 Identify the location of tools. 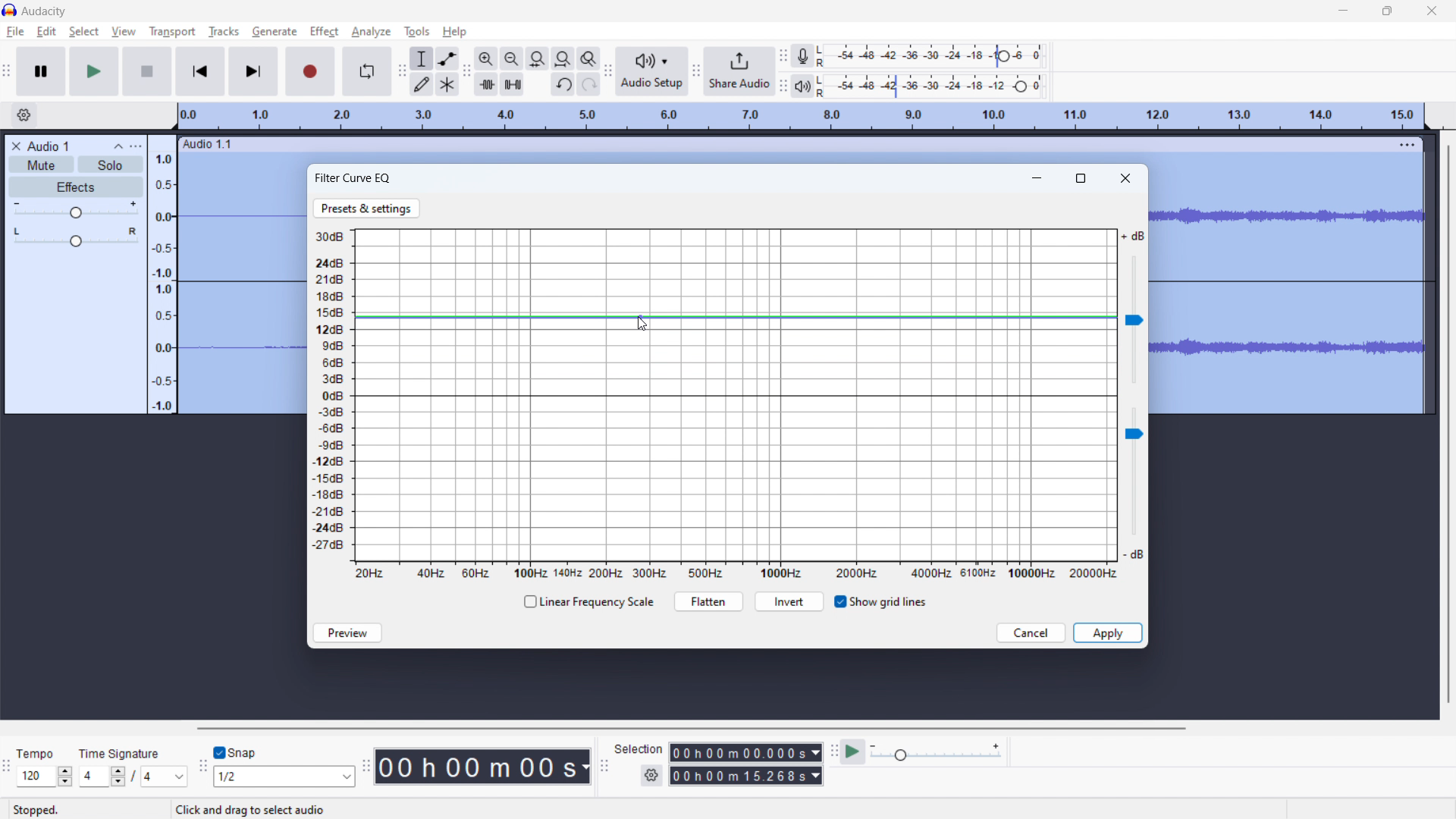
(416, 32).